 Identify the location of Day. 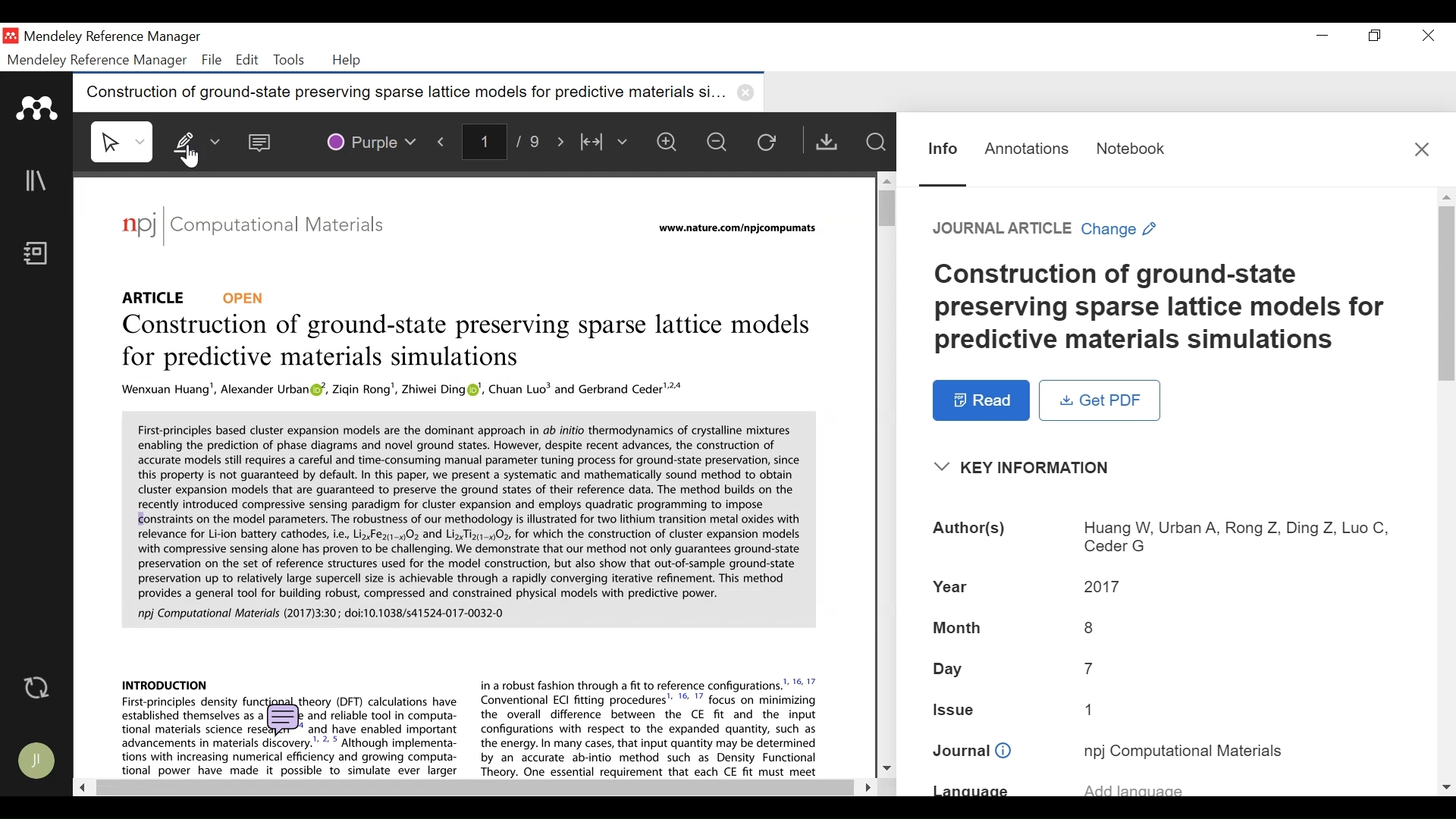
(950, 670).